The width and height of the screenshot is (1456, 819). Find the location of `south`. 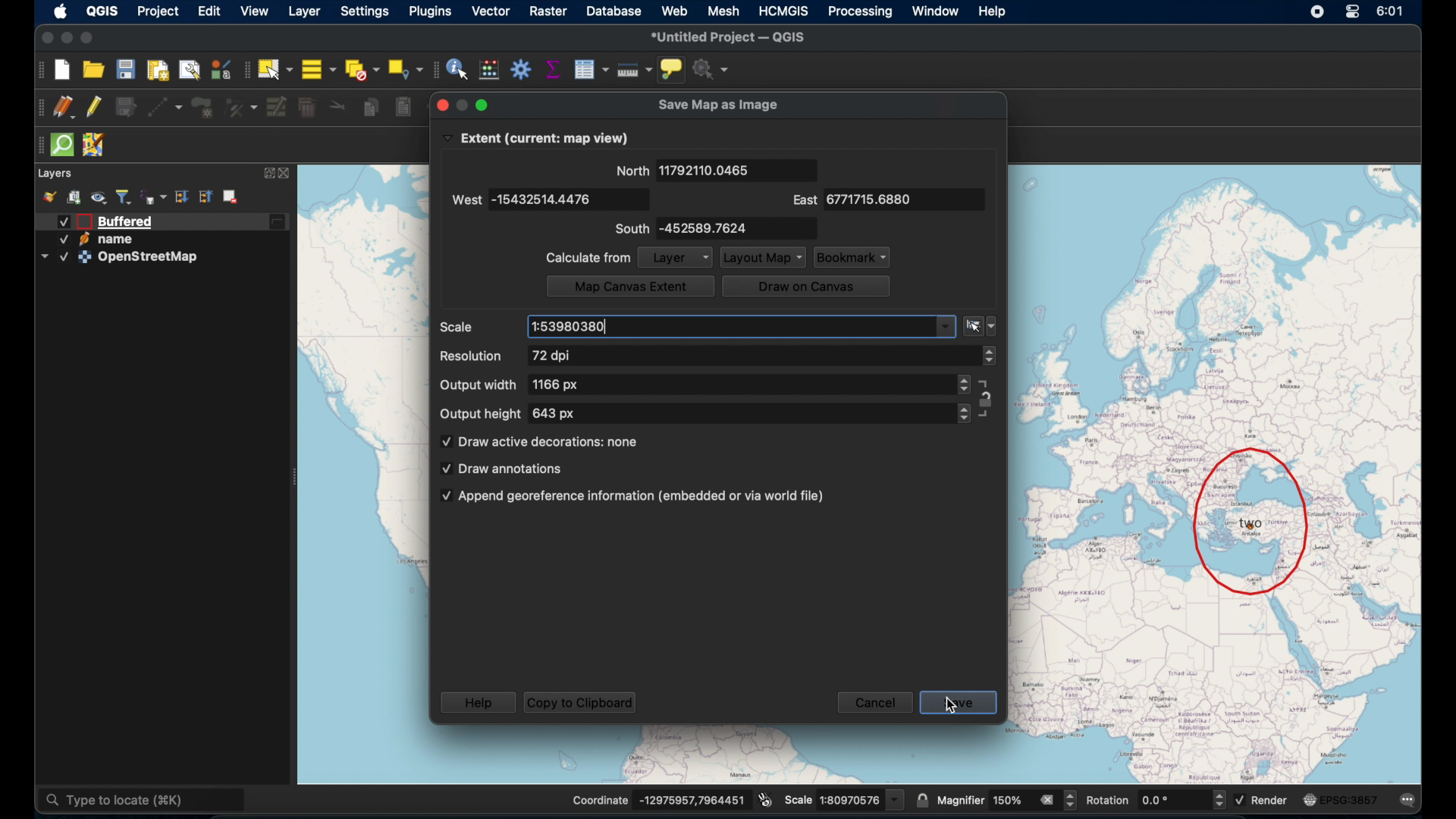

south is located at coordinates (632, 229).